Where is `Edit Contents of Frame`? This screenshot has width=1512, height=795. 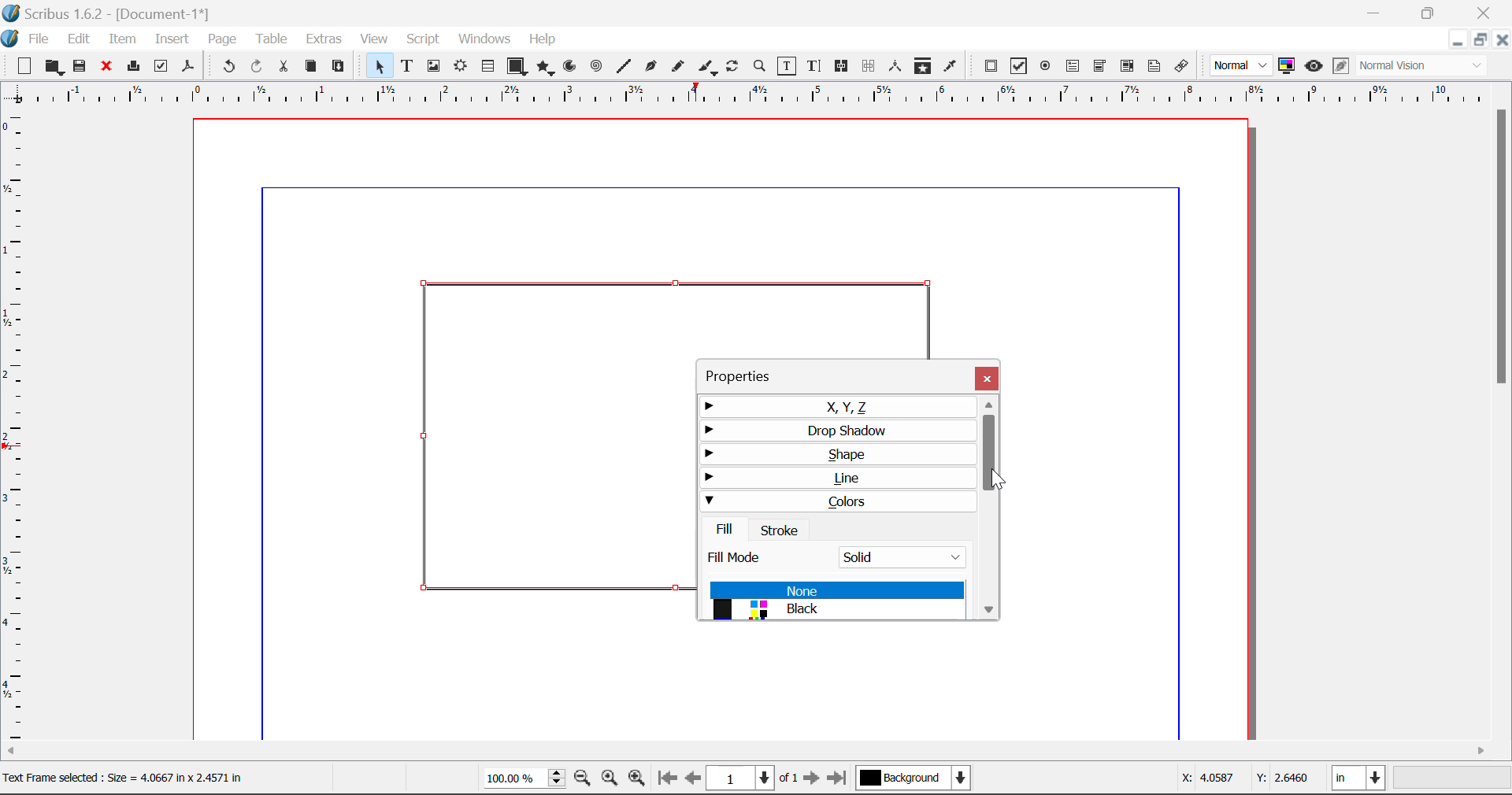 Edit Contents of Frame is located at coordinates (787, 65).